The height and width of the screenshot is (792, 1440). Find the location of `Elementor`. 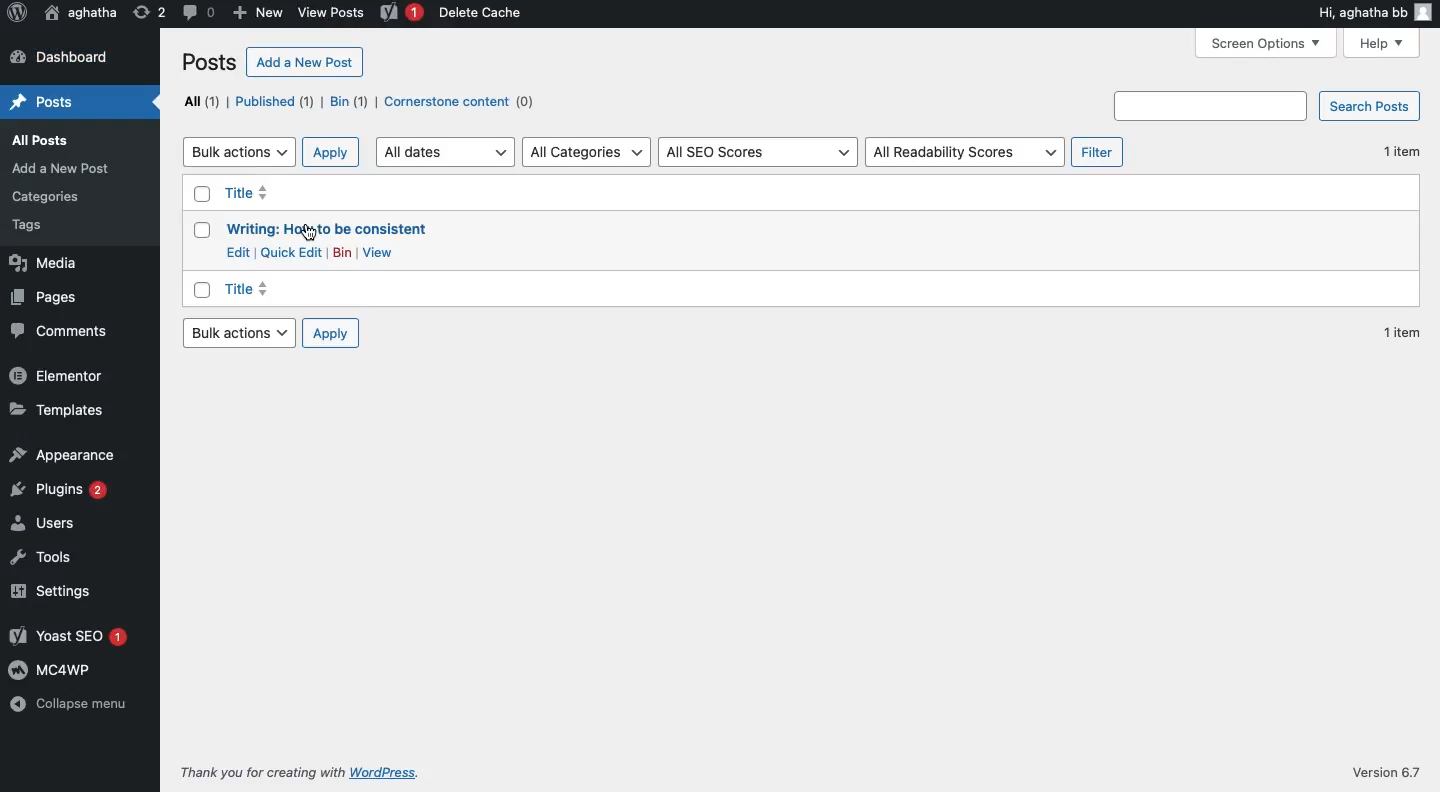

Elementor is located at coordinates (55, 375).